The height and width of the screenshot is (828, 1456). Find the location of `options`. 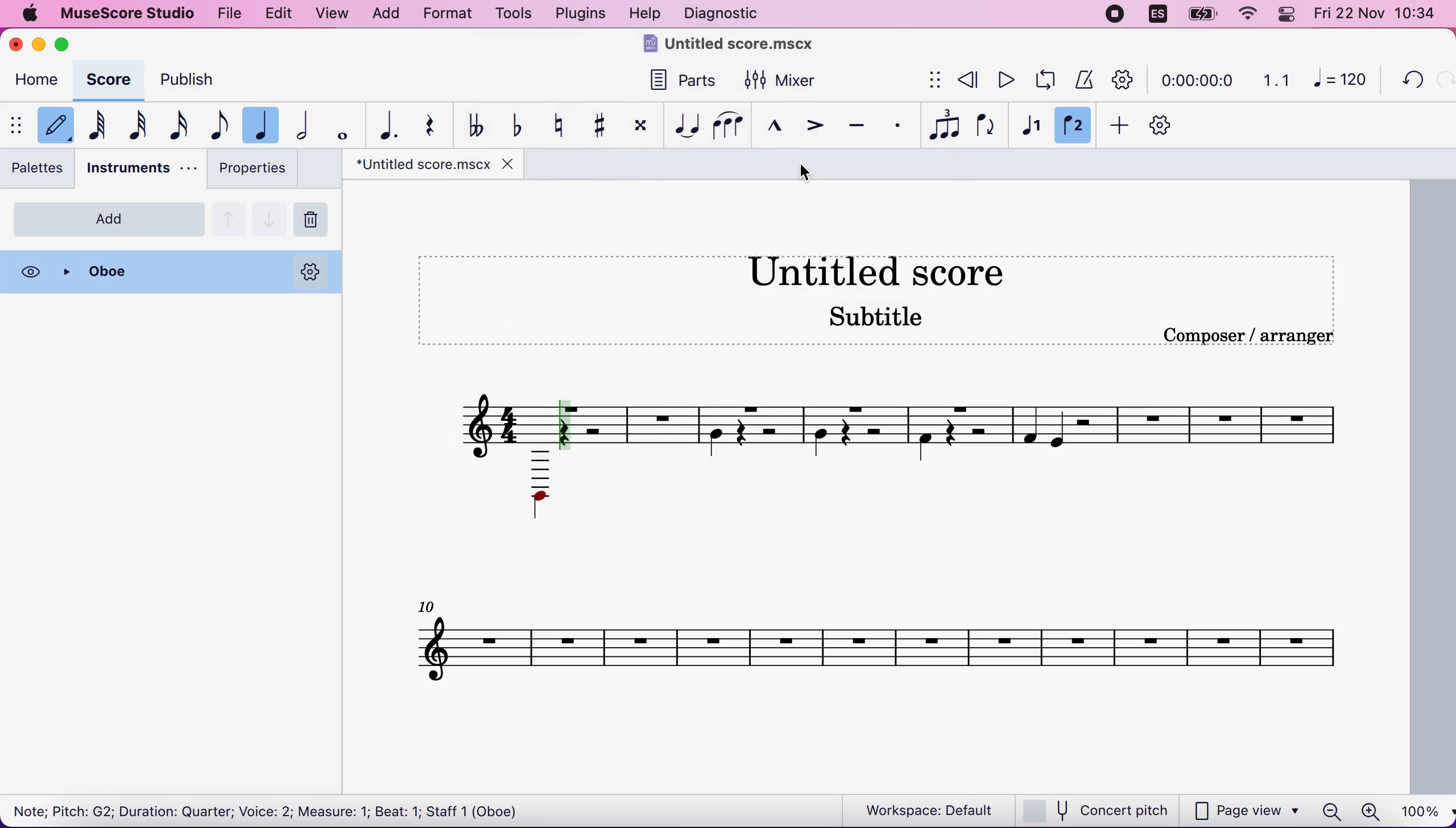

options is located at coordinates (312, 271).